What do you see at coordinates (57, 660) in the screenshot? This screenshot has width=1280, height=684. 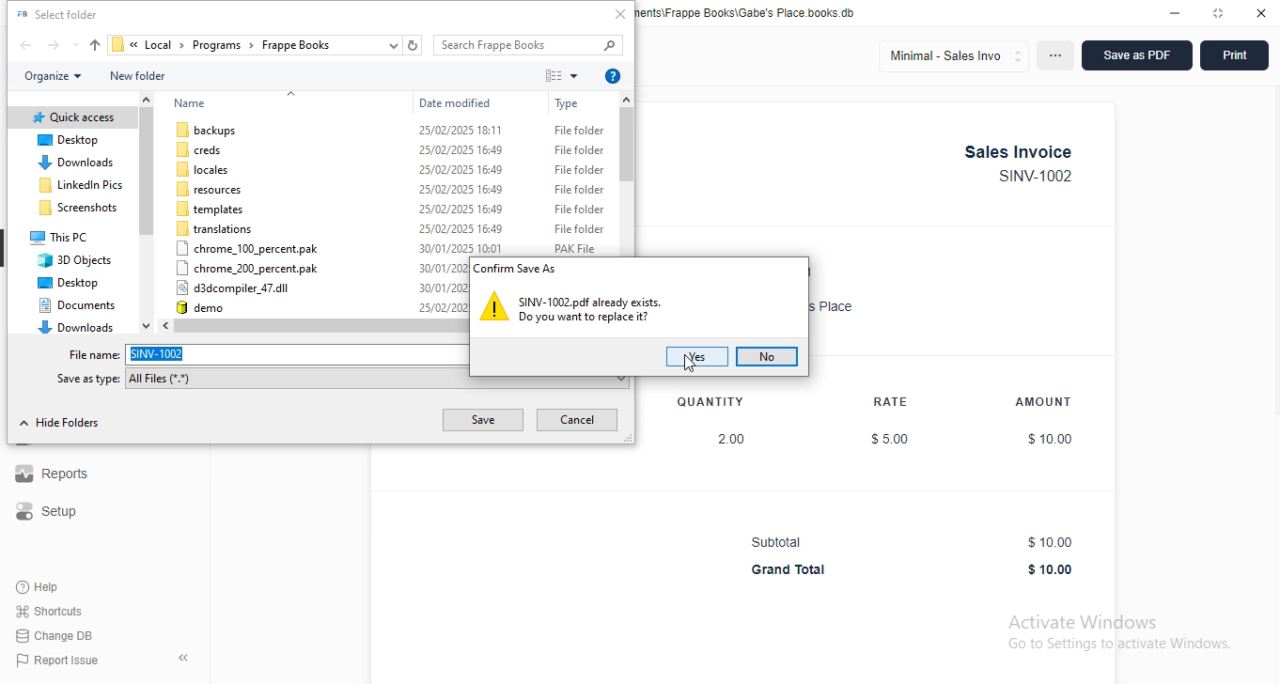 I see `report issue` at bounding box center [57, 660].